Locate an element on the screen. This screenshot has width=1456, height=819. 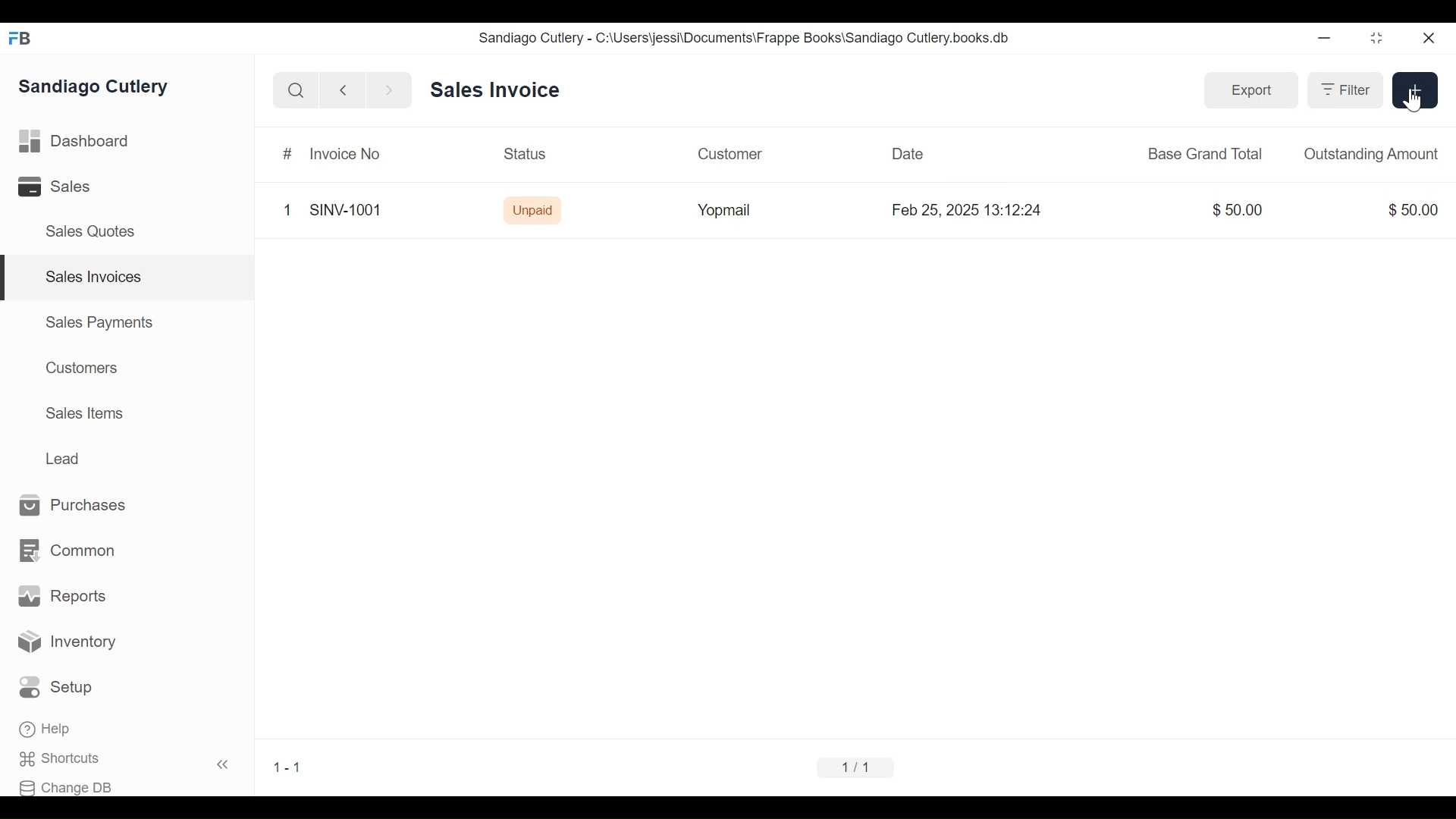
« is located at coordinates (223, 767).